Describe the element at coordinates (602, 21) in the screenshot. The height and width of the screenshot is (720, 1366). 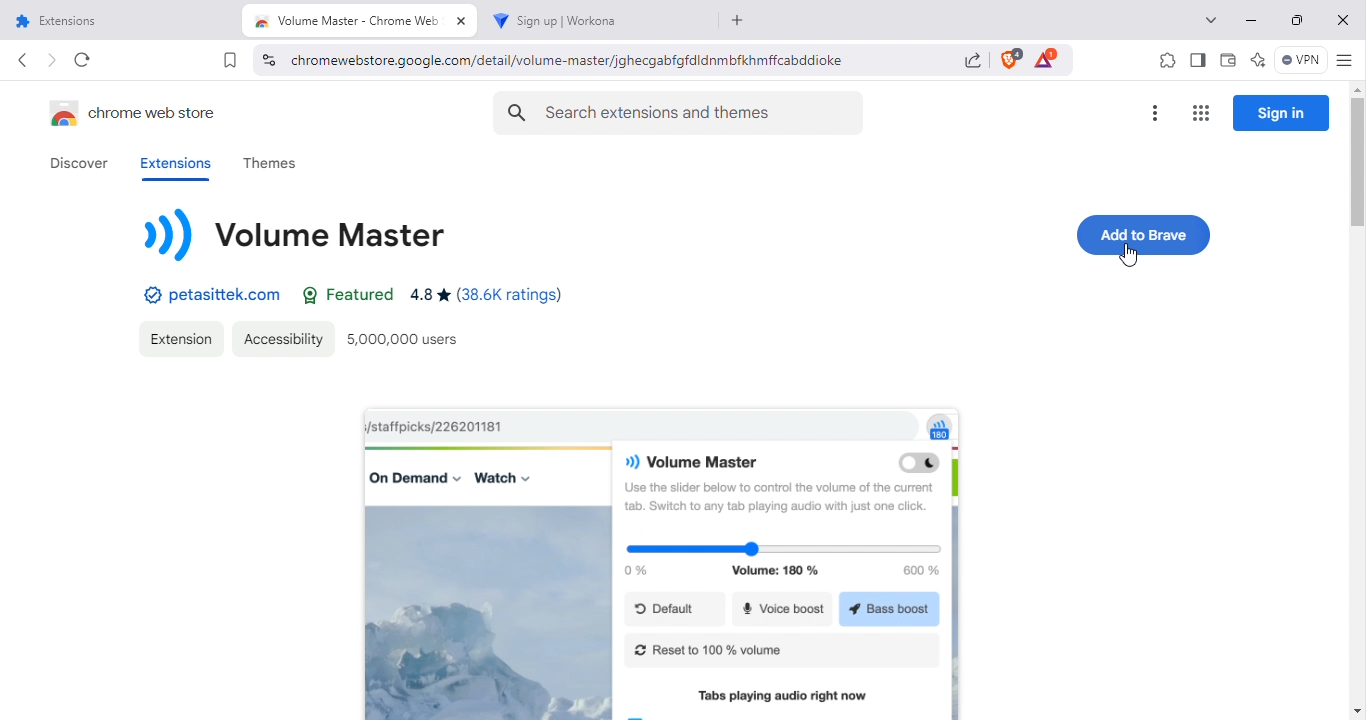
I see `Workona extenion tab` at that location.